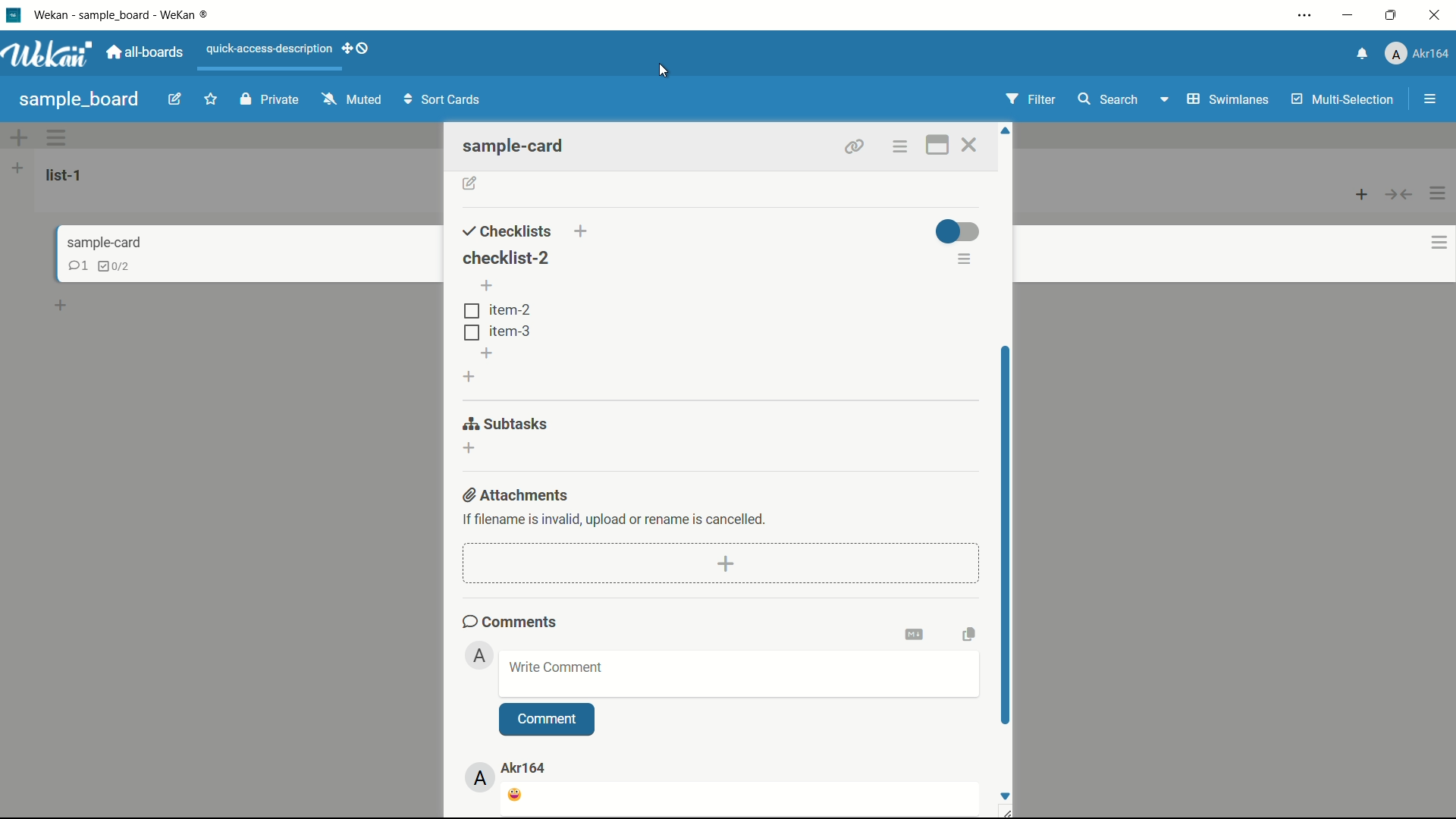  I want to click on item-2, so click(497, 310).